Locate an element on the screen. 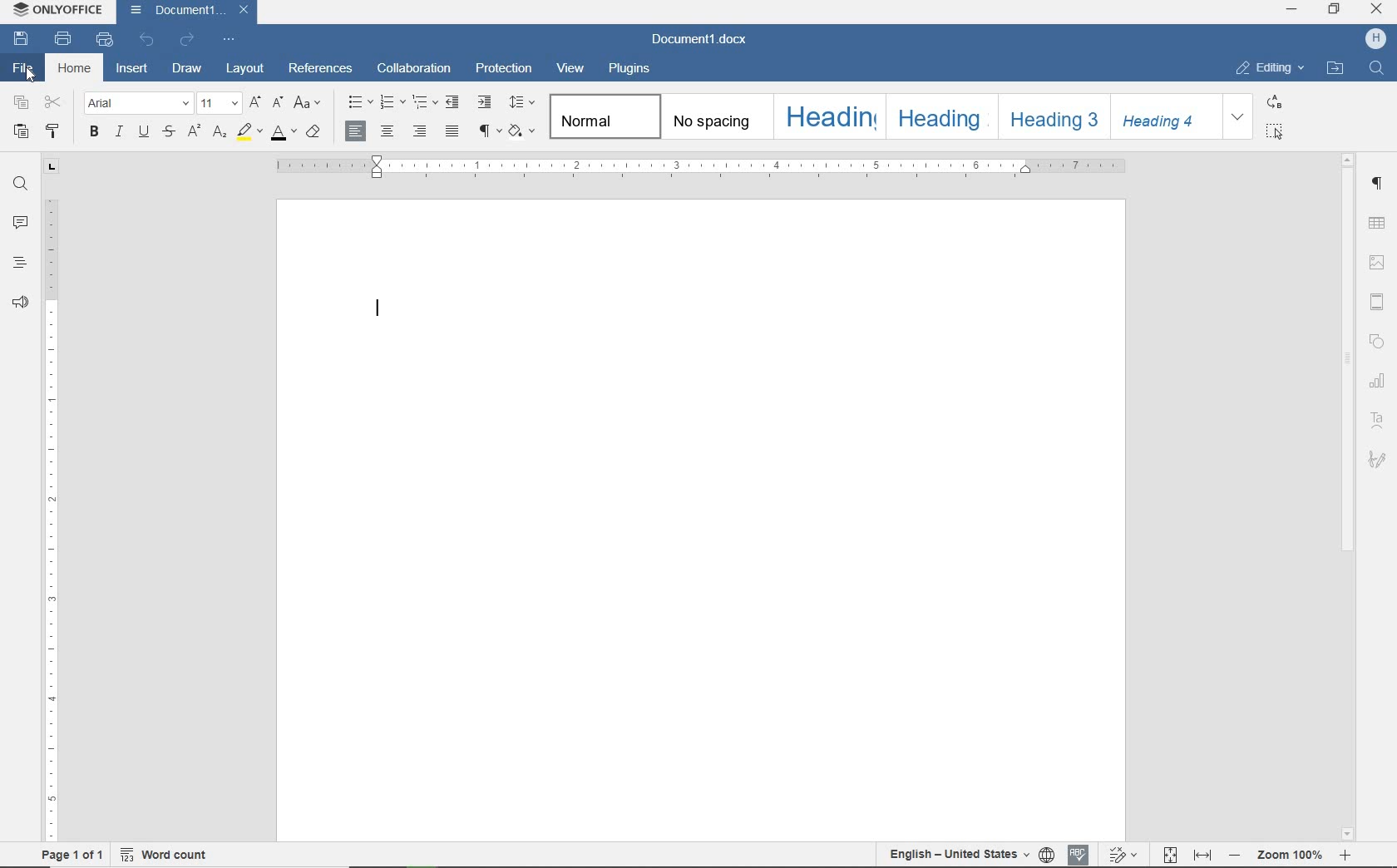  protection is located at coordinates (502, 67).